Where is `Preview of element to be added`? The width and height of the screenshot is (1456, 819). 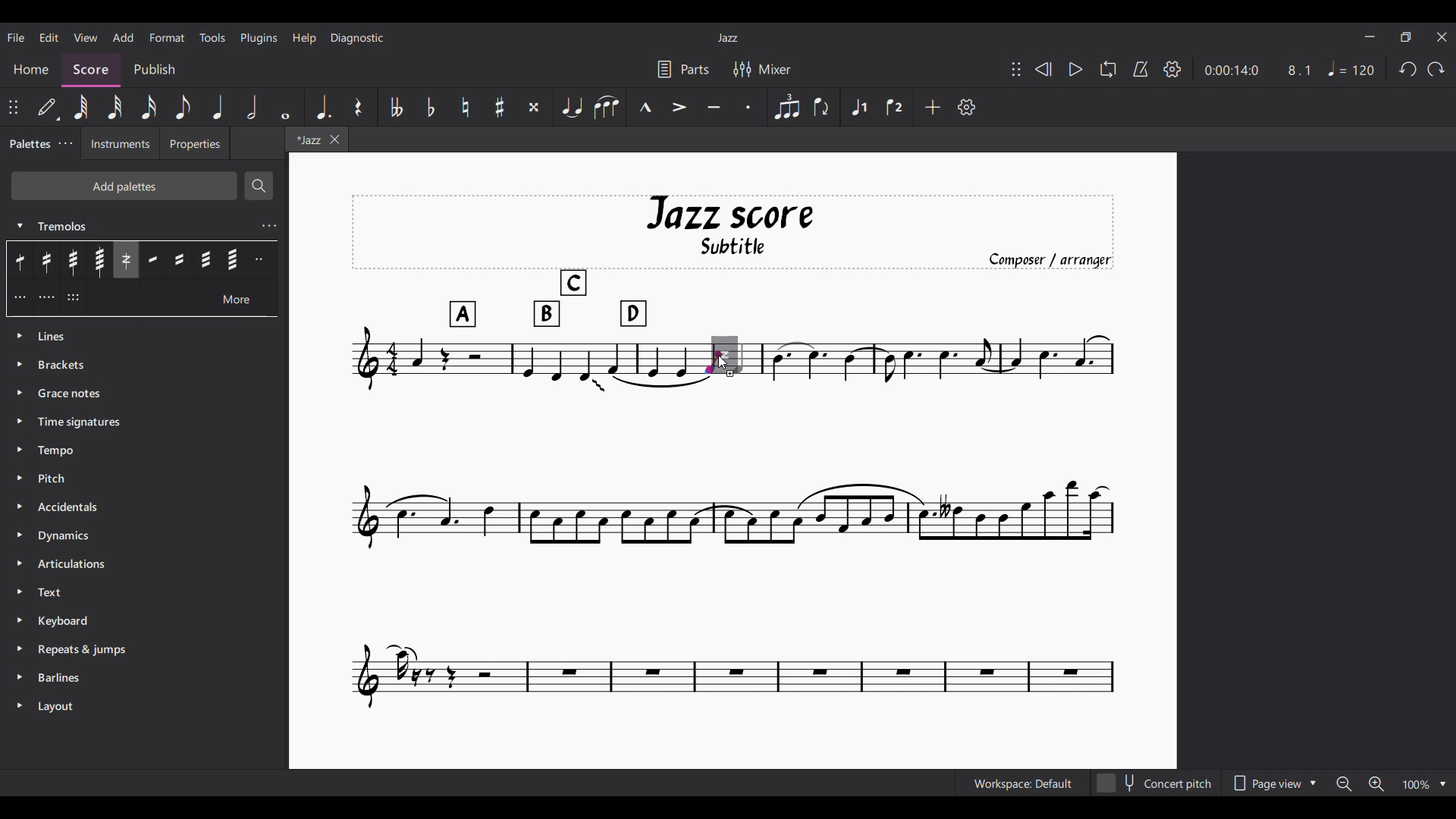
Preview of element to be added is located at coordinates (730, 353).